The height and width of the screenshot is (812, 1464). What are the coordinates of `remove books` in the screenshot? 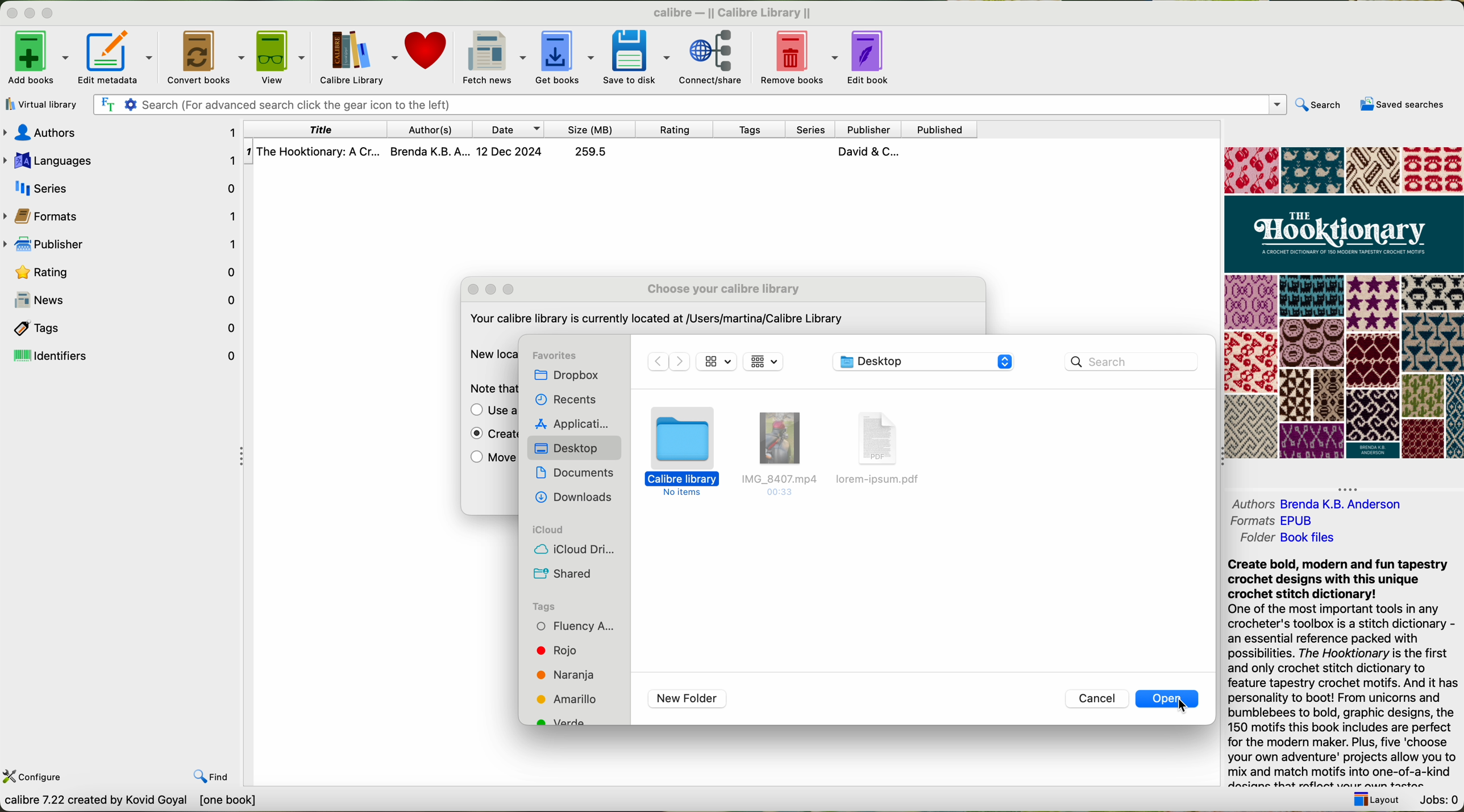 It's located at (797, 59).